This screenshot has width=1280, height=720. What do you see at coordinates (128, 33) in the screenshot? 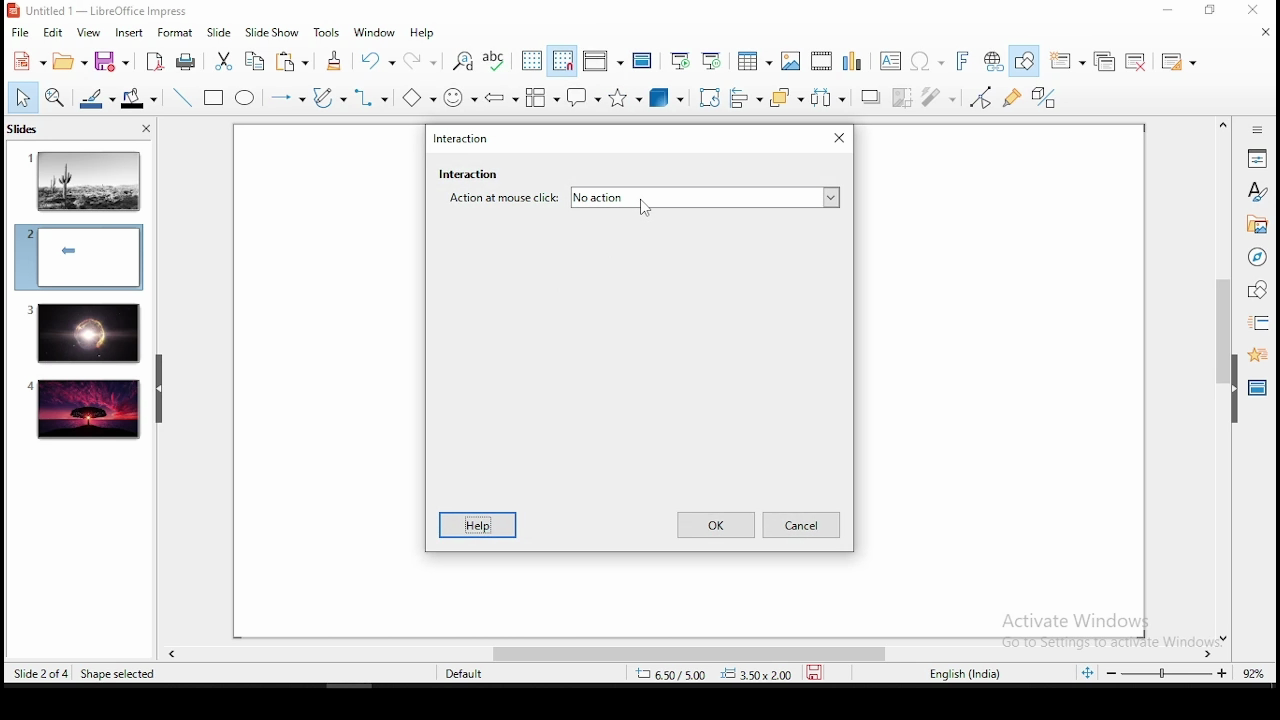
I see `insert` at bounding box center [128, 33].